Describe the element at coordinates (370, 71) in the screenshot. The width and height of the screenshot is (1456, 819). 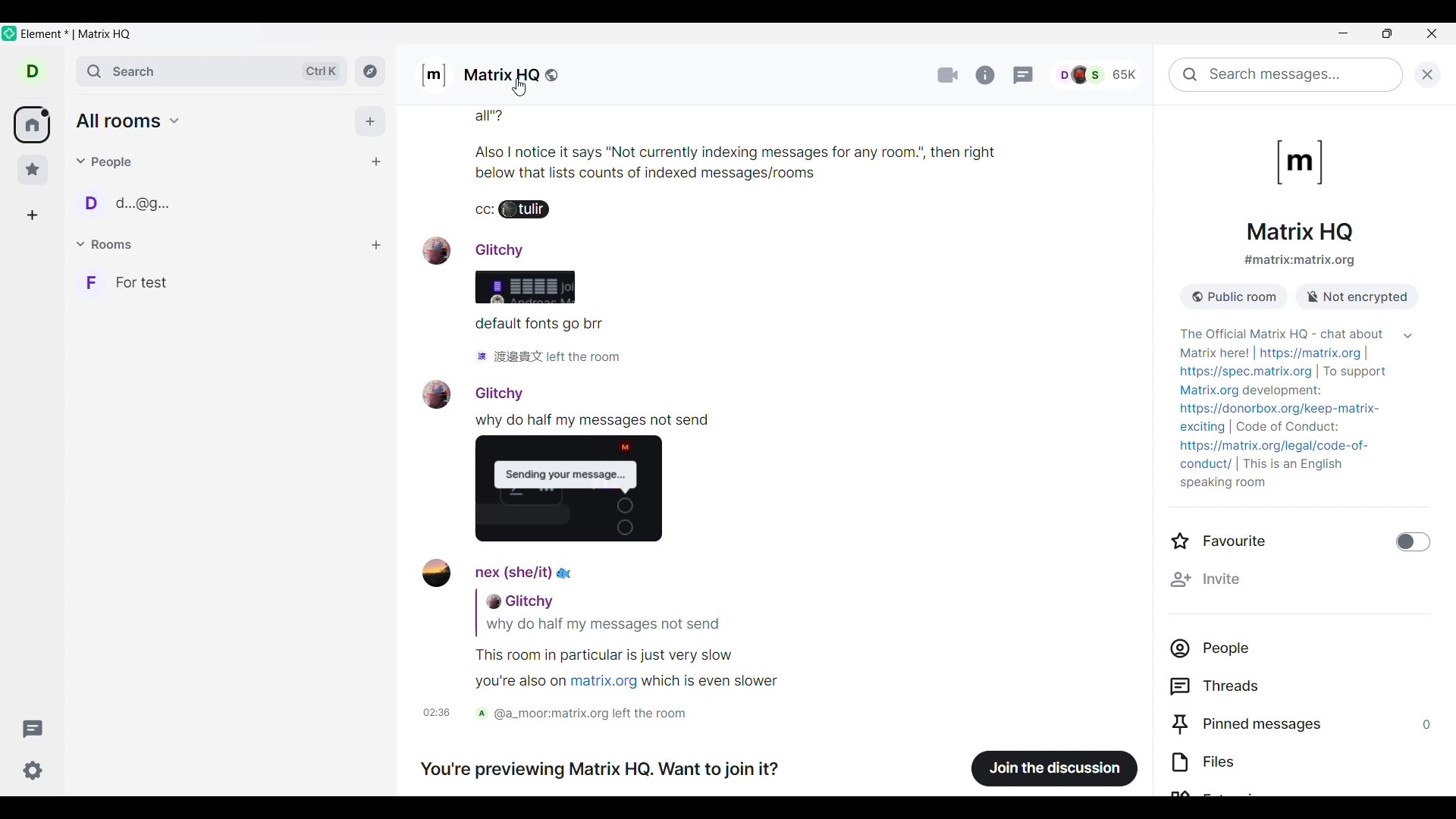
I see `Explore rooms` at that location.